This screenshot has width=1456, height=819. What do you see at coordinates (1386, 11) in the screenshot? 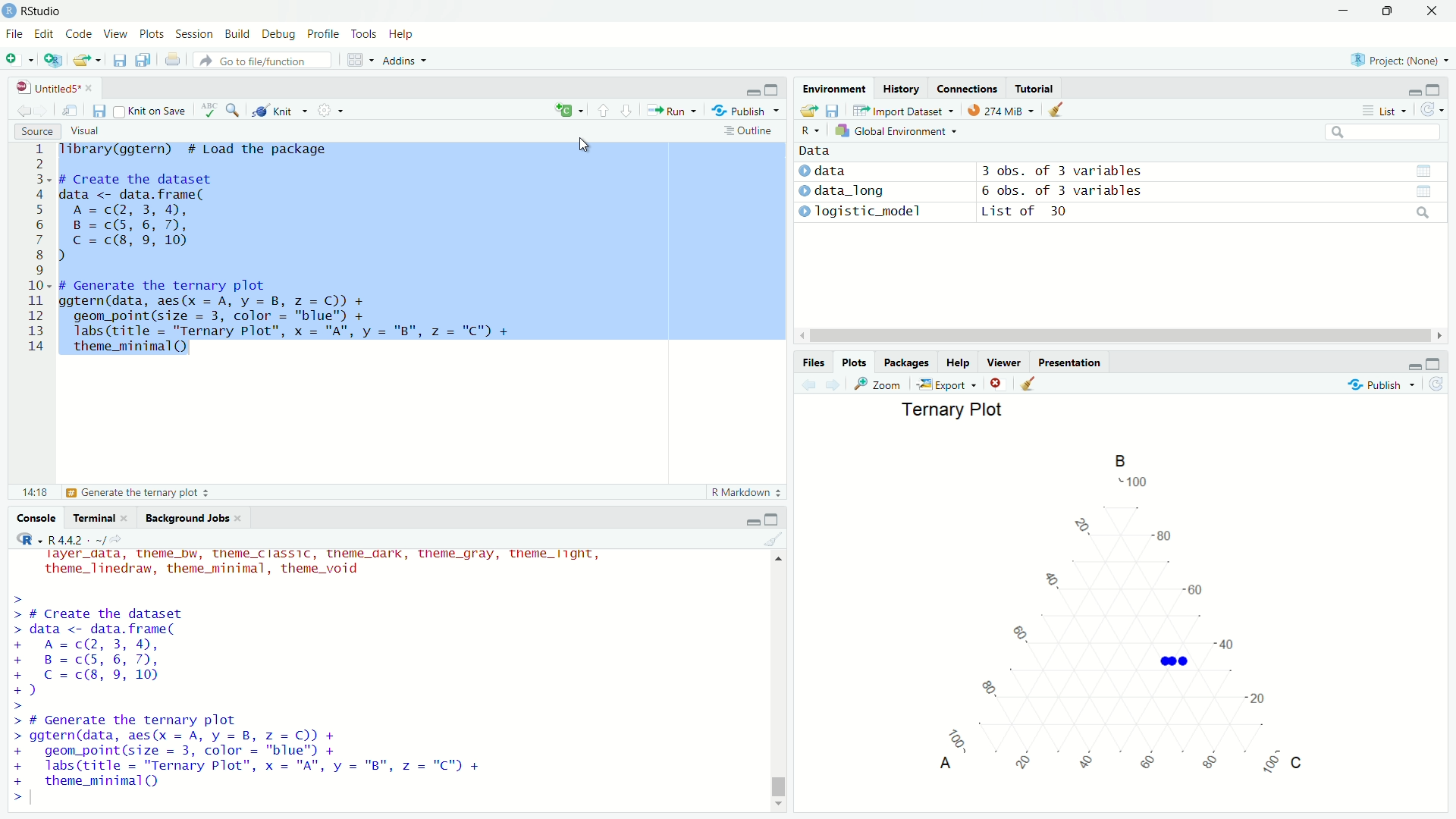
I see `maximise` at bounding box center [1386, 11].